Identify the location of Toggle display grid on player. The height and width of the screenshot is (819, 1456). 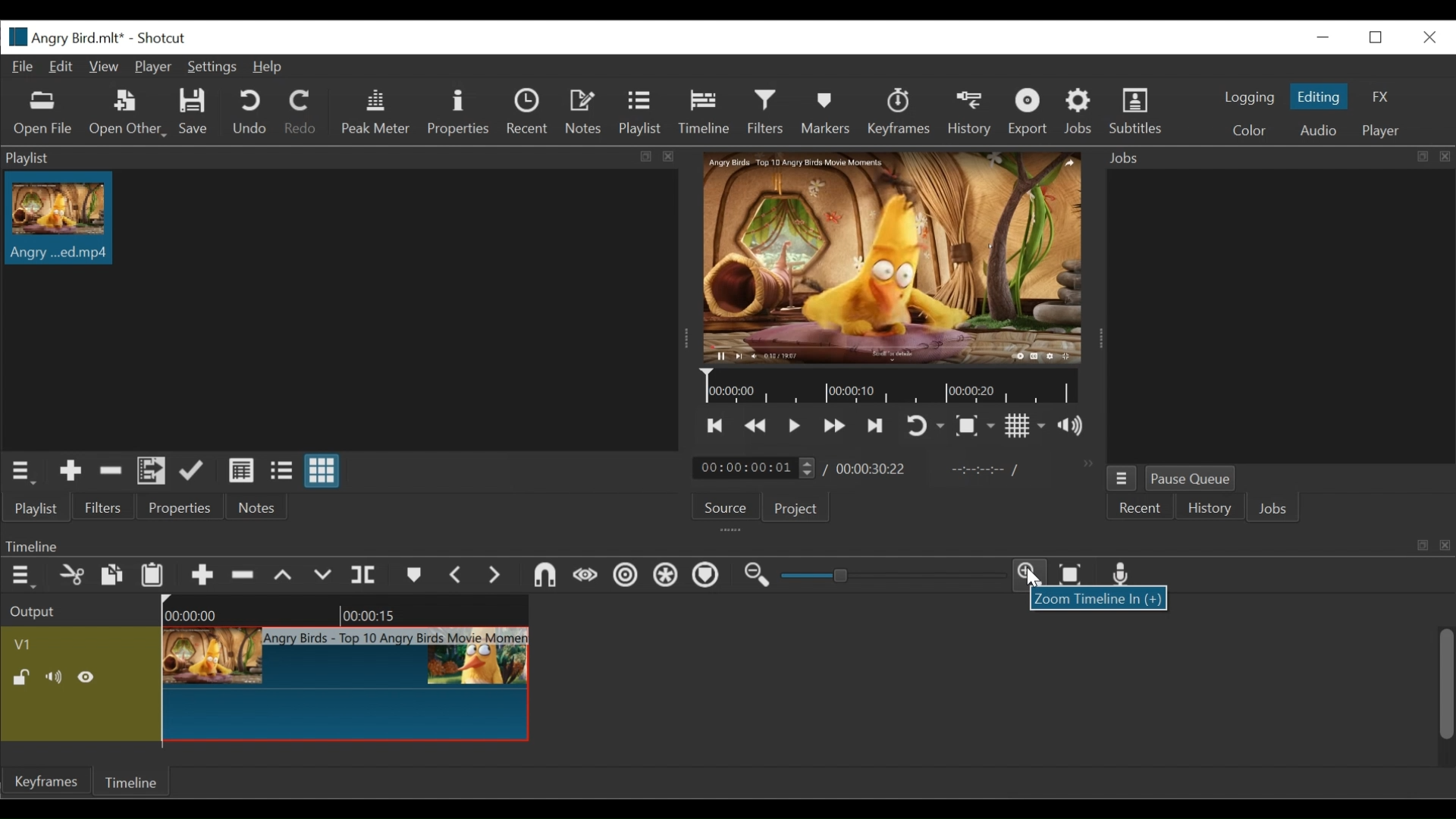
(1026, 426).